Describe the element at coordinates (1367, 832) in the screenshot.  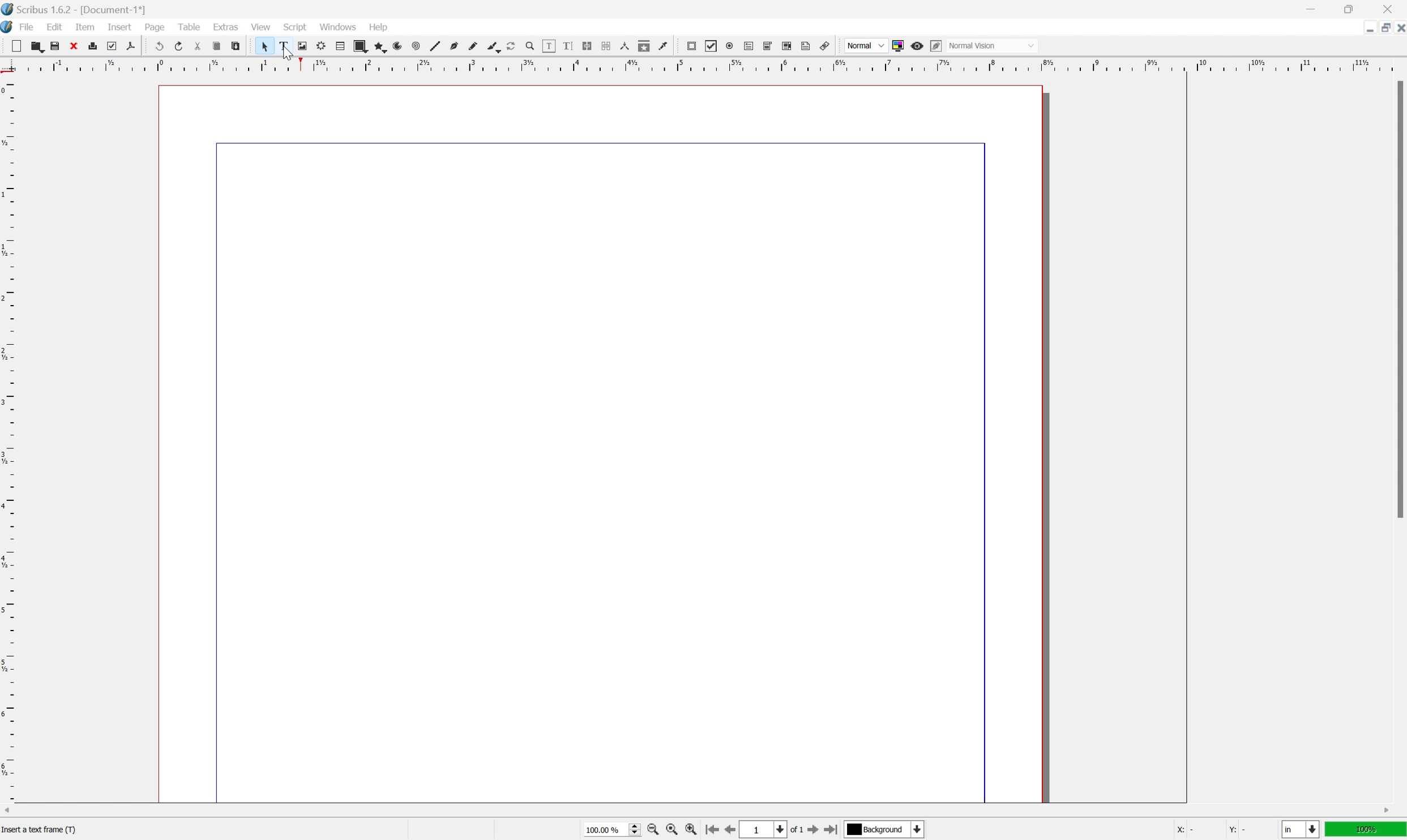
I see `100%` at that location.